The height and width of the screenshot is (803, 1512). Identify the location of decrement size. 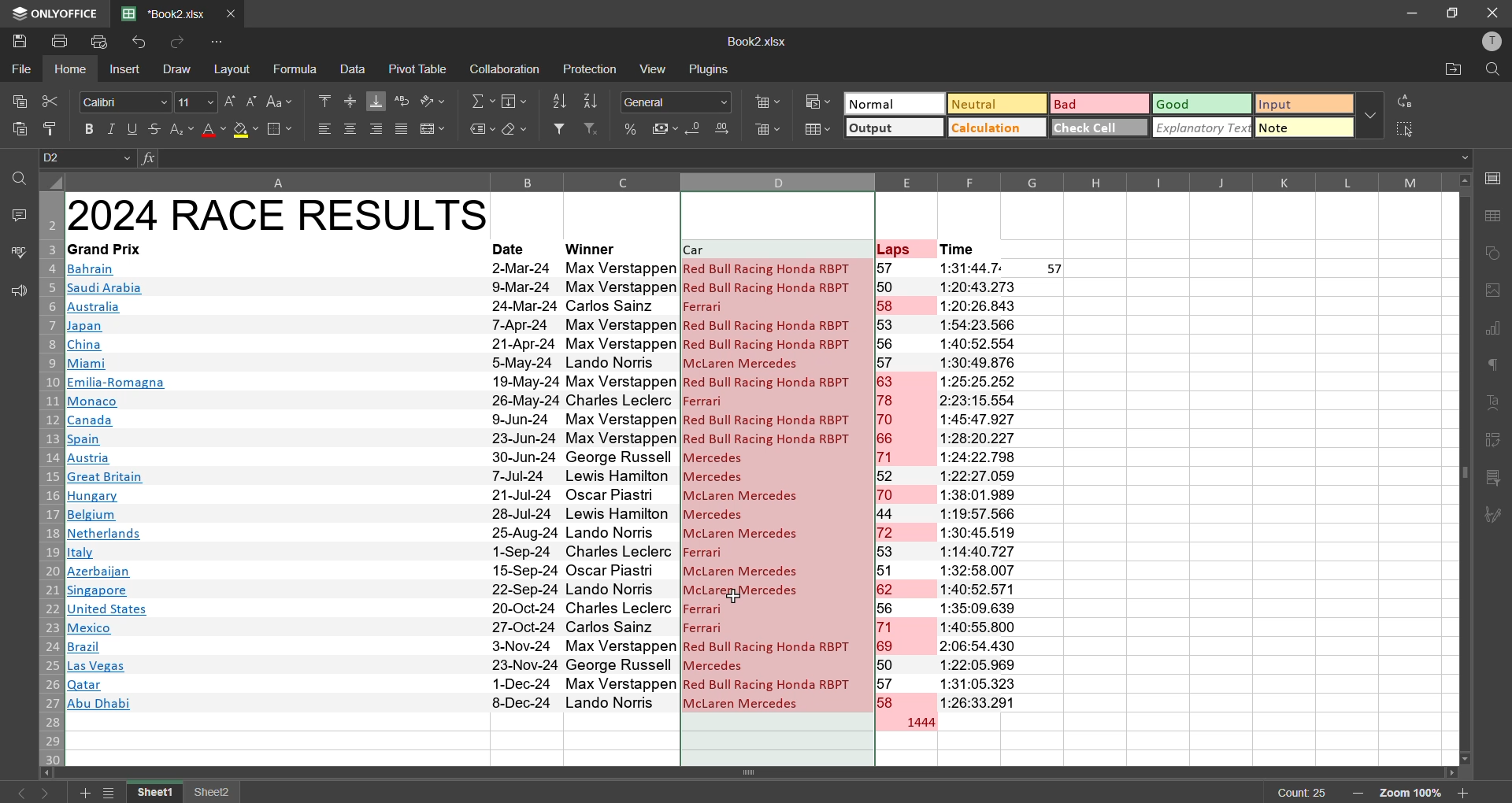
(250, 101).